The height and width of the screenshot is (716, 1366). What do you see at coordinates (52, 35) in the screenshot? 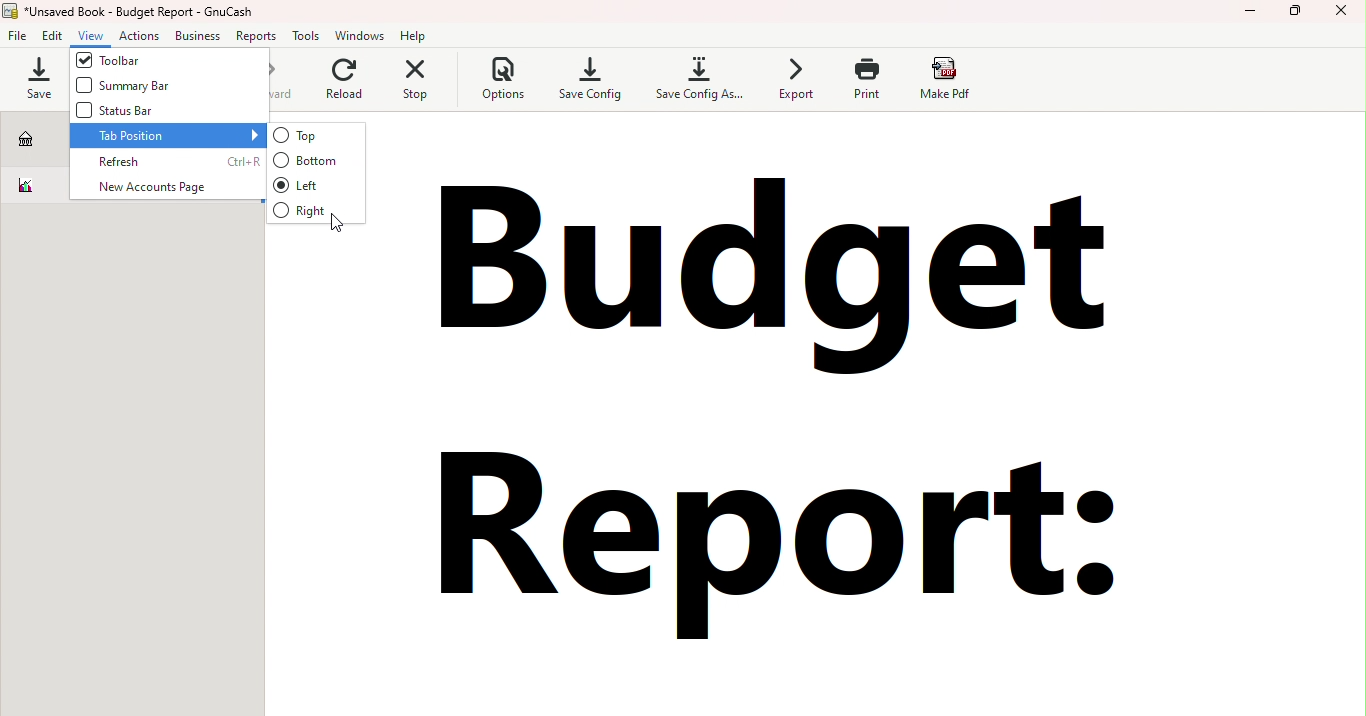
I see `Edit` at bounding box center [52, 35].